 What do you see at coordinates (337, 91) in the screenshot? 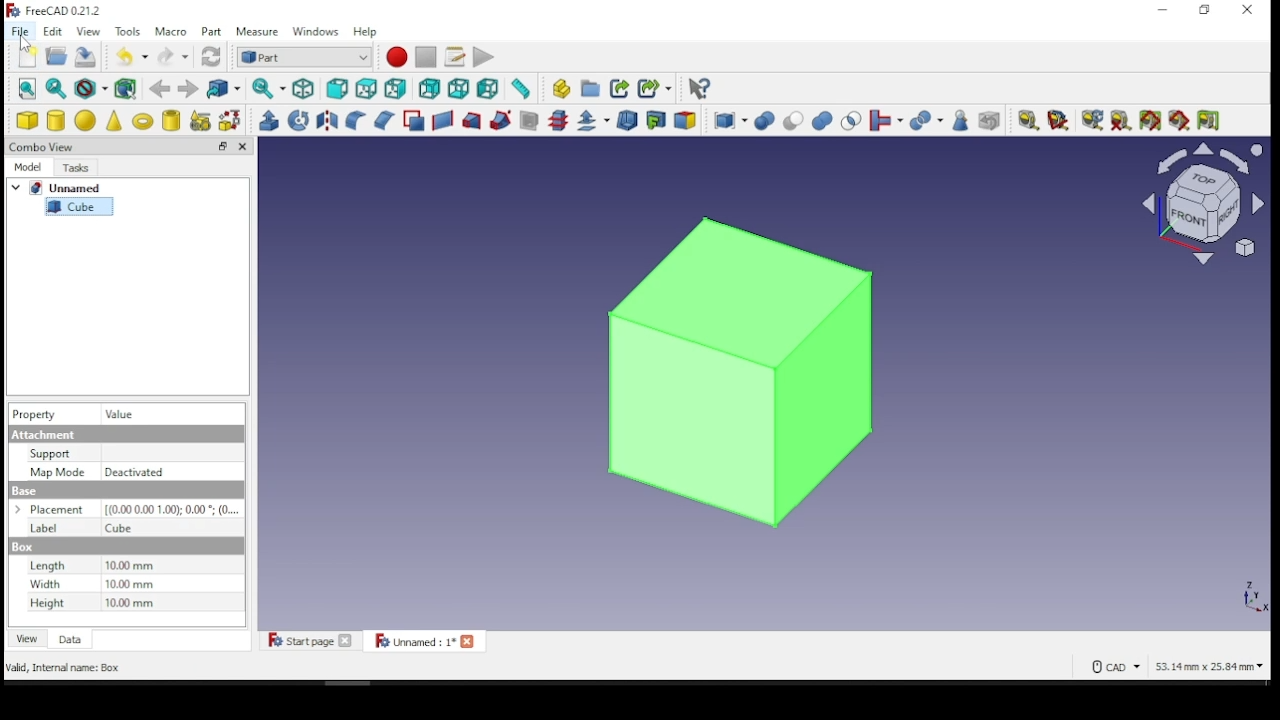
I see `front` at bounding box center [337, 91].